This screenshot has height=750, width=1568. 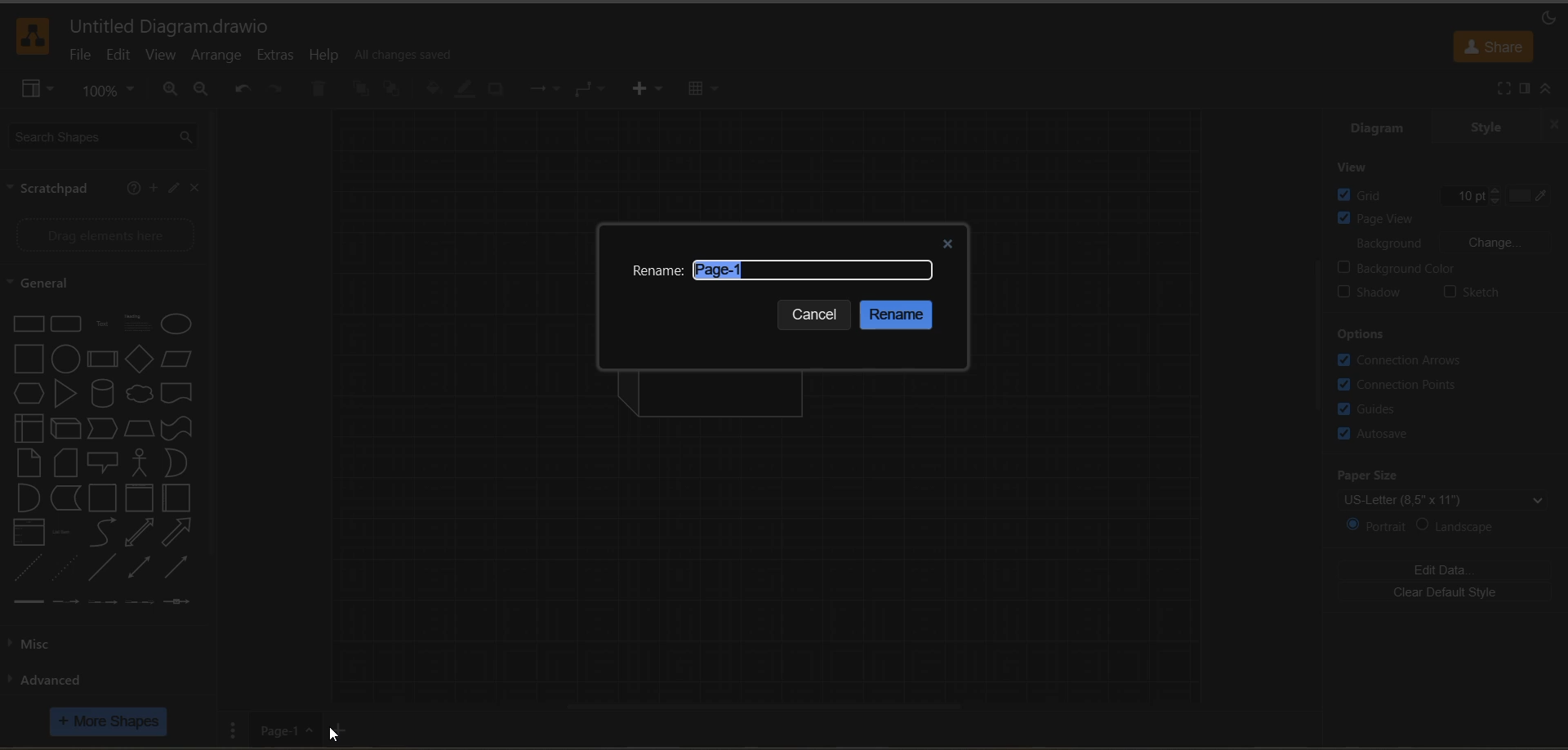 What do you see at coordinates (1470, 292) in the screenshot?
I see `sketch` at bounding box center [1470, 292].